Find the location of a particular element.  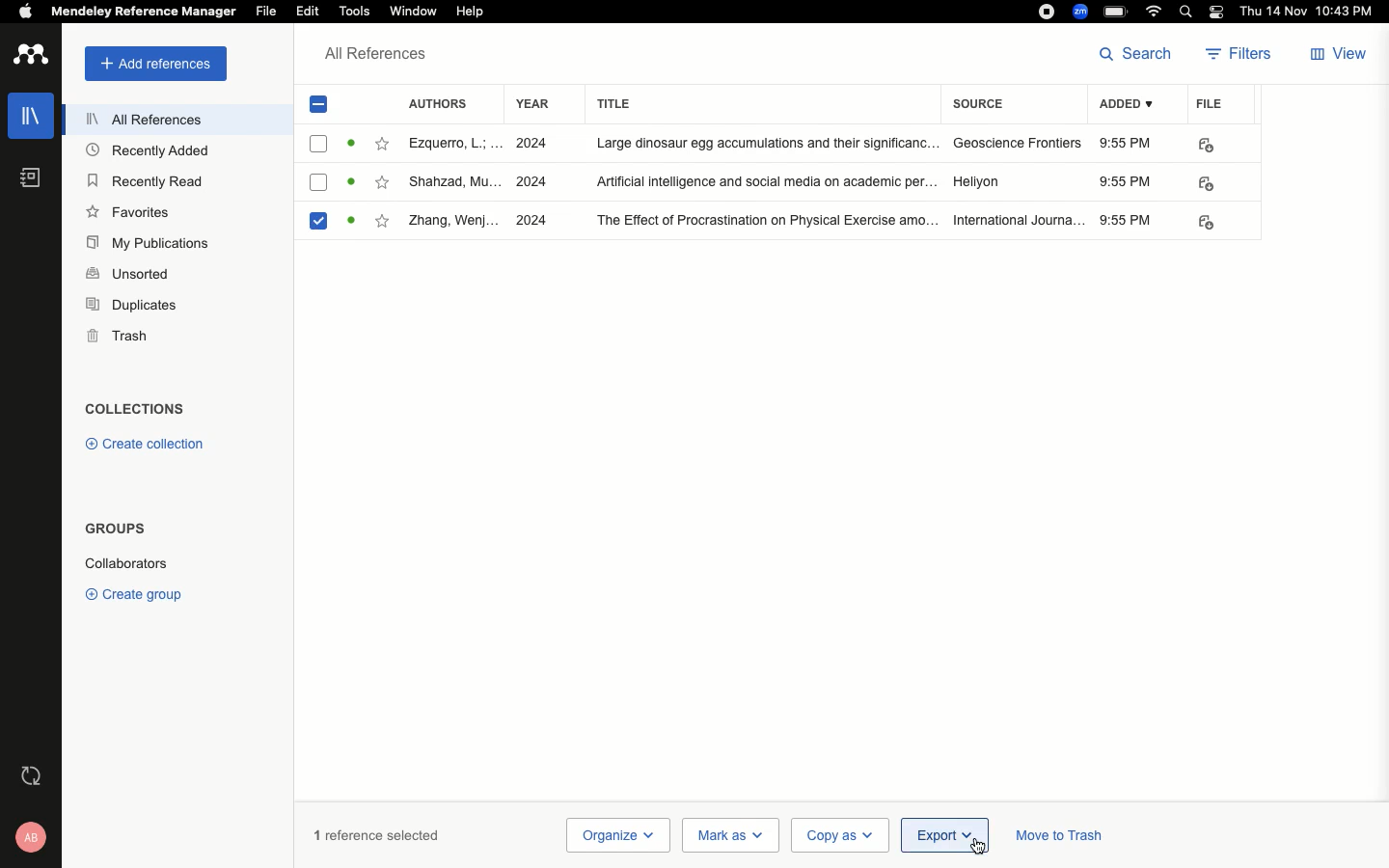

large dinasour egg accumolatations and their significance is located at coordinates (769, 143).